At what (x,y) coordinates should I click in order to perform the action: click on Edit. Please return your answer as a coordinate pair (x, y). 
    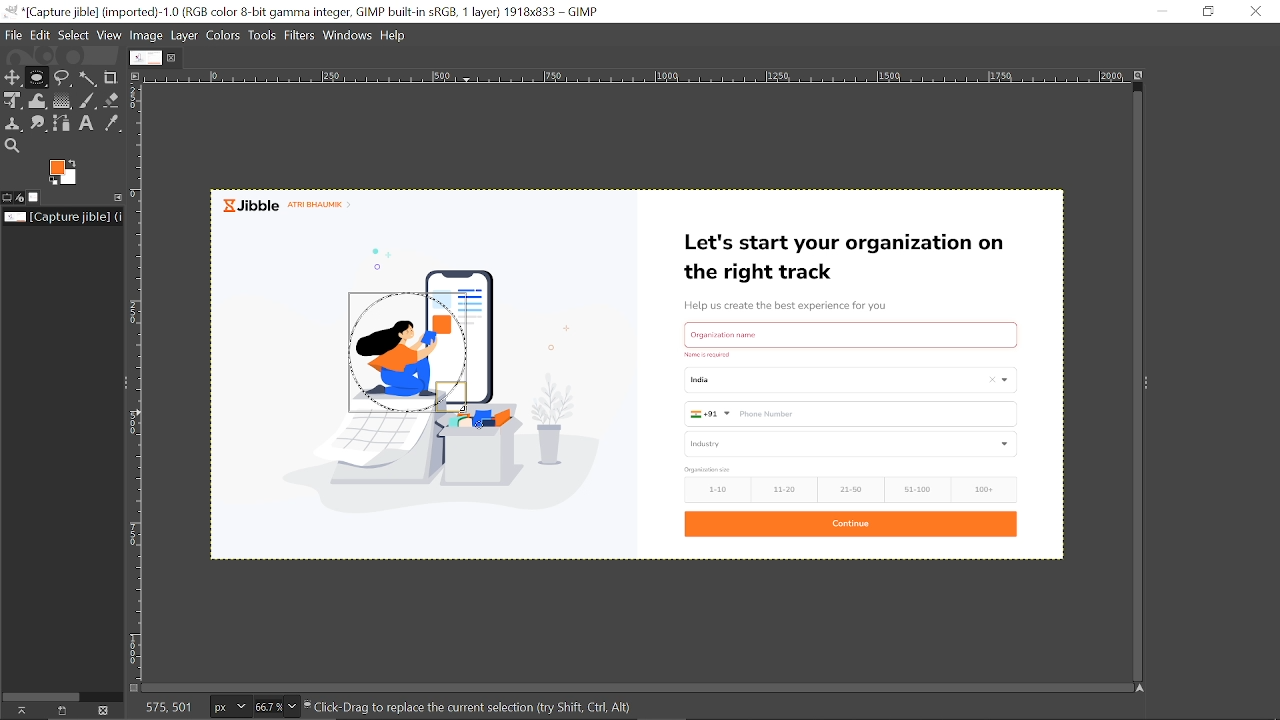
    Looking at the image, I should click on (41, 35).